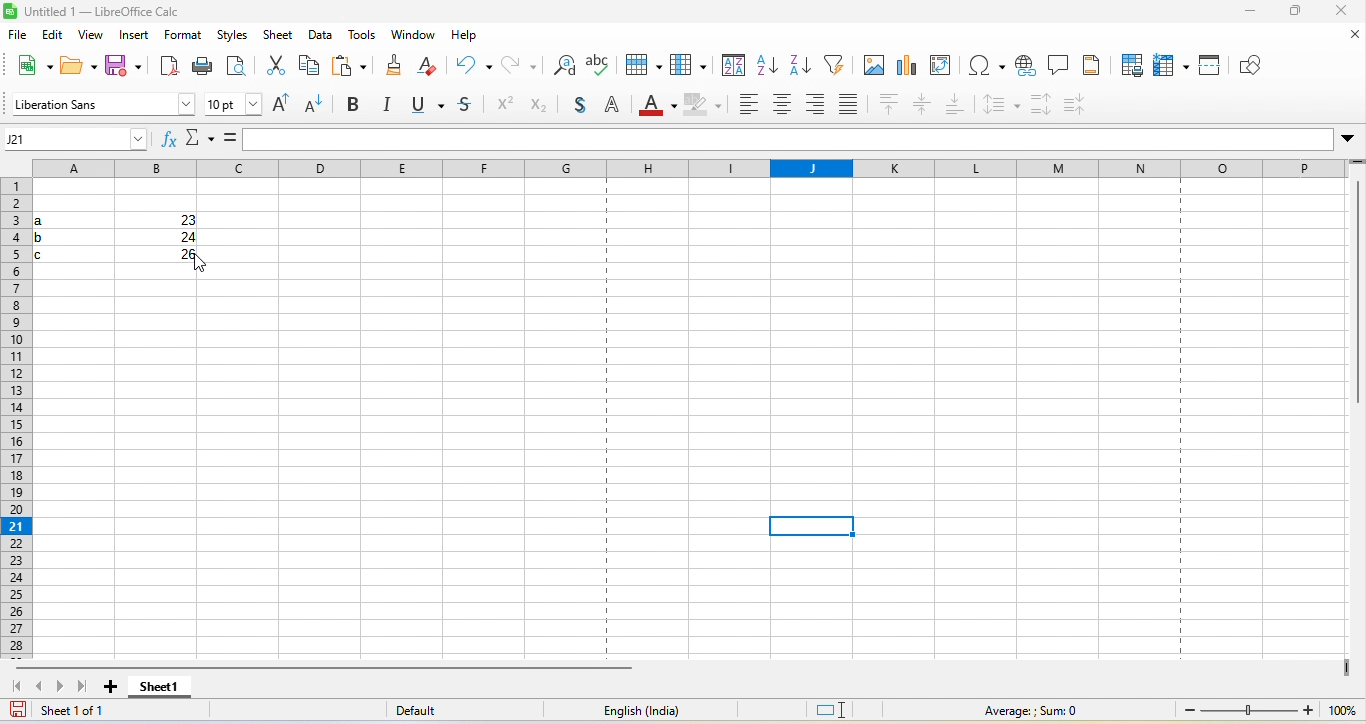  Describe the element at coordinates (817, 107) in the screenshot. I see `align right` at that location.